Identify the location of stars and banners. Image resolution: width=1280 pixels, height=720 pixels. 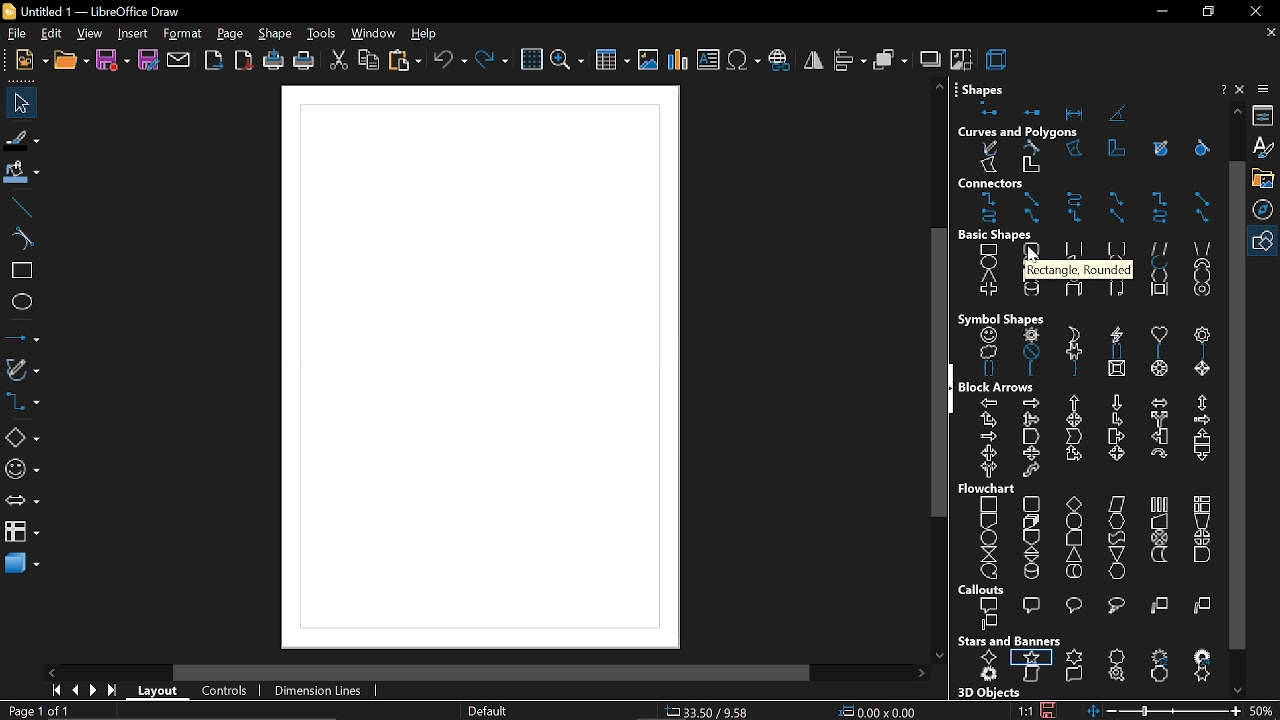
(1009, 641).